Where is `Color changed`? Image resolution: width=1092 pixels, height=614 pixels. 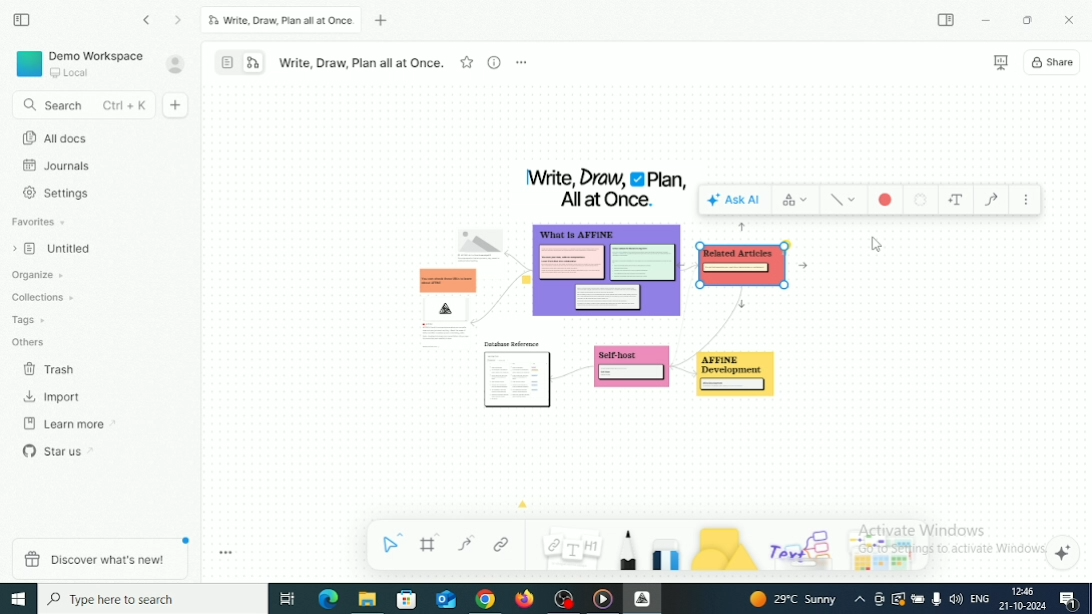
Color changed is located at coordinates (886, 199).